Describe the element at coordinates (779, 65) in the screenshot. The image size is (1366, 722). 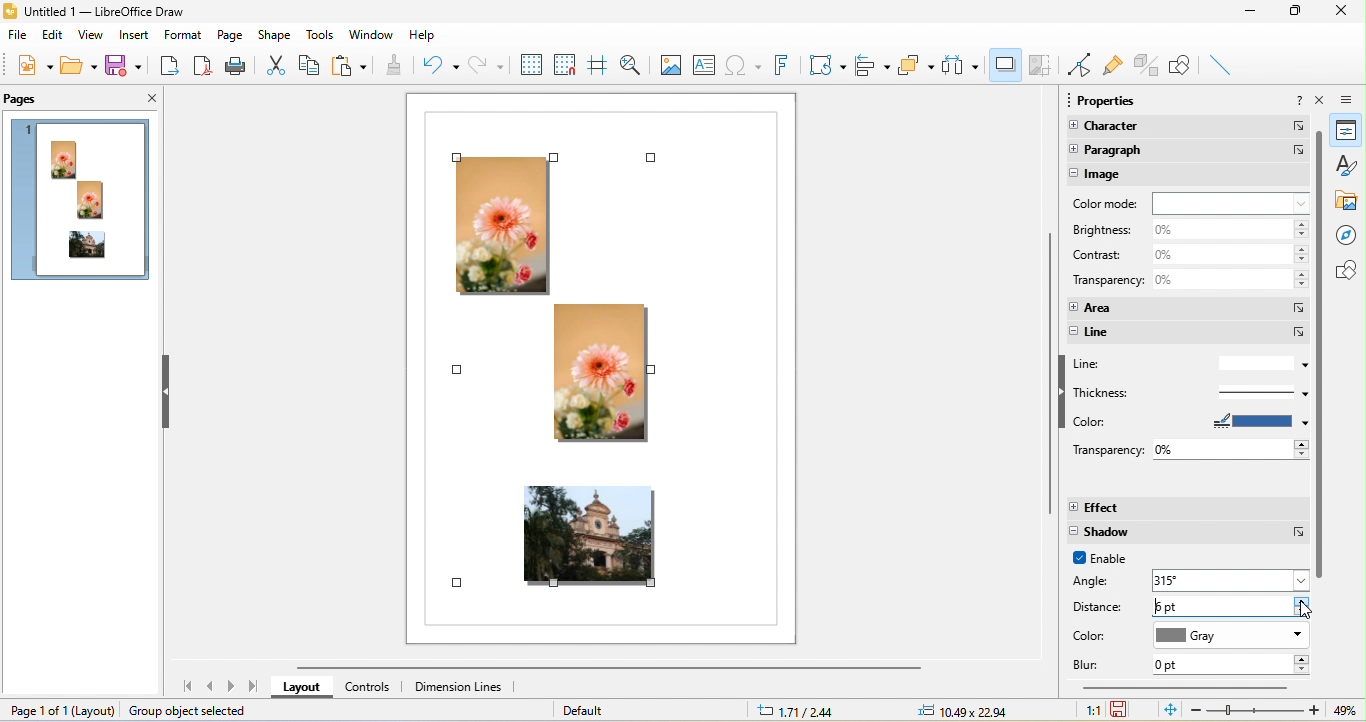
I see `font work text` at that location.